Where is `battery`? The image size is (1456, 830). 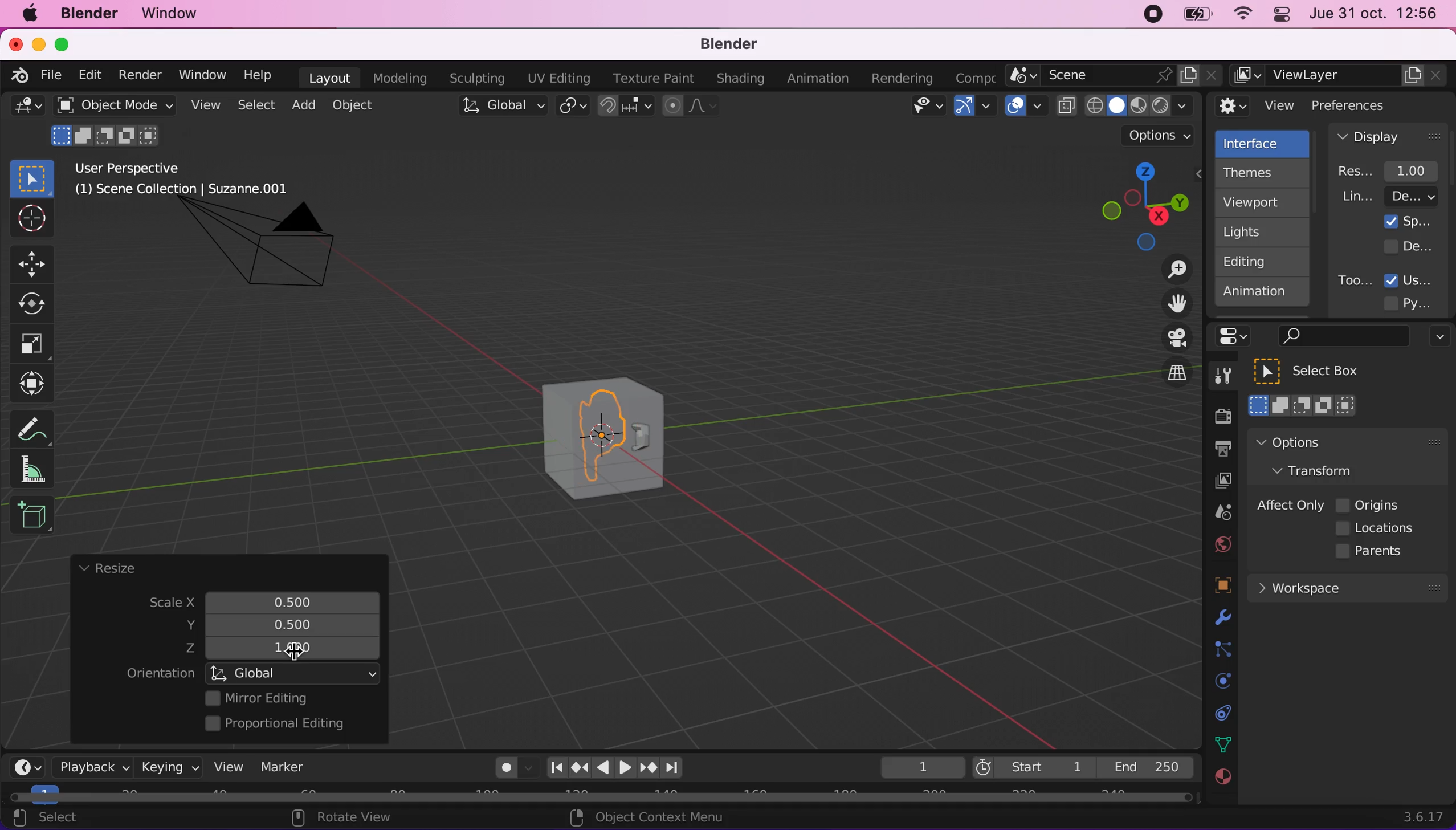
battery is located at coordinates (1193, 17).